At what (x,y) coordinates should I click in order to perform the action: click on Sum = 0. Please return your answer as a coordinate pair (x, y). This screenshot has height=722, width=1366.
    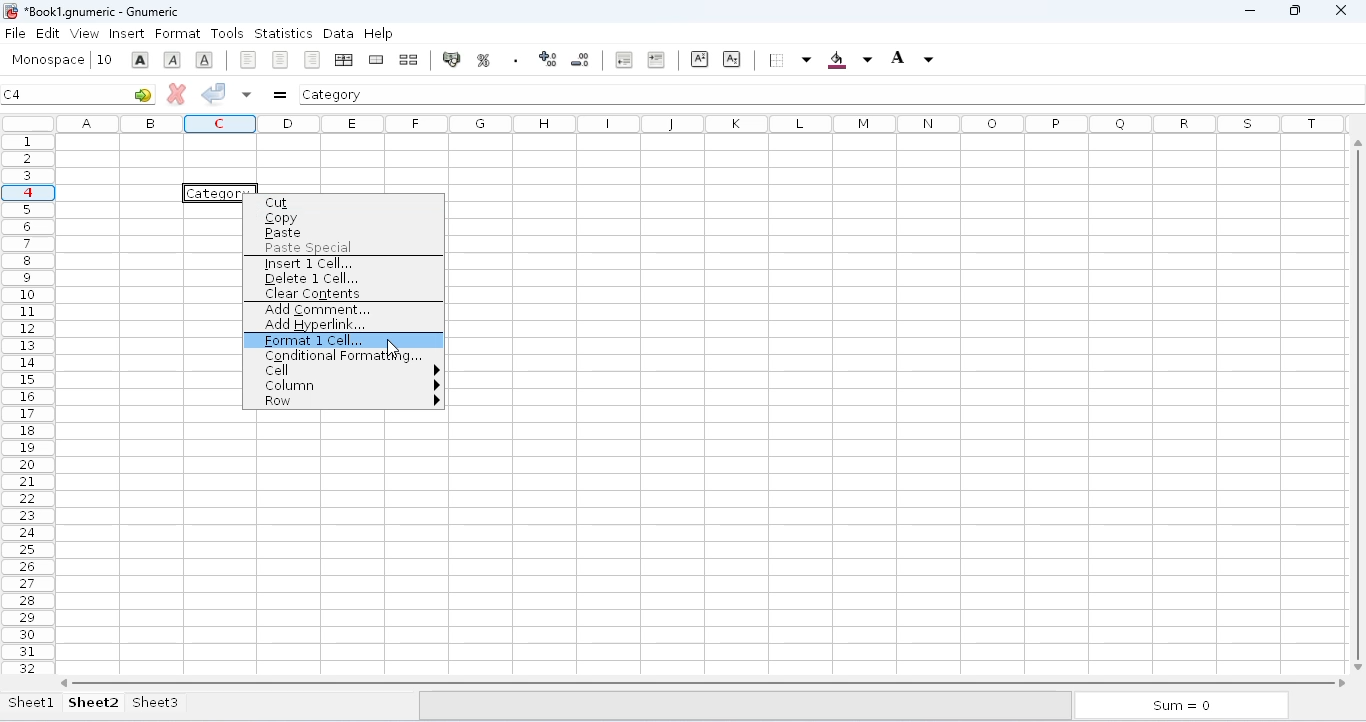
    Looking at the image, I should click on (1177, 707).